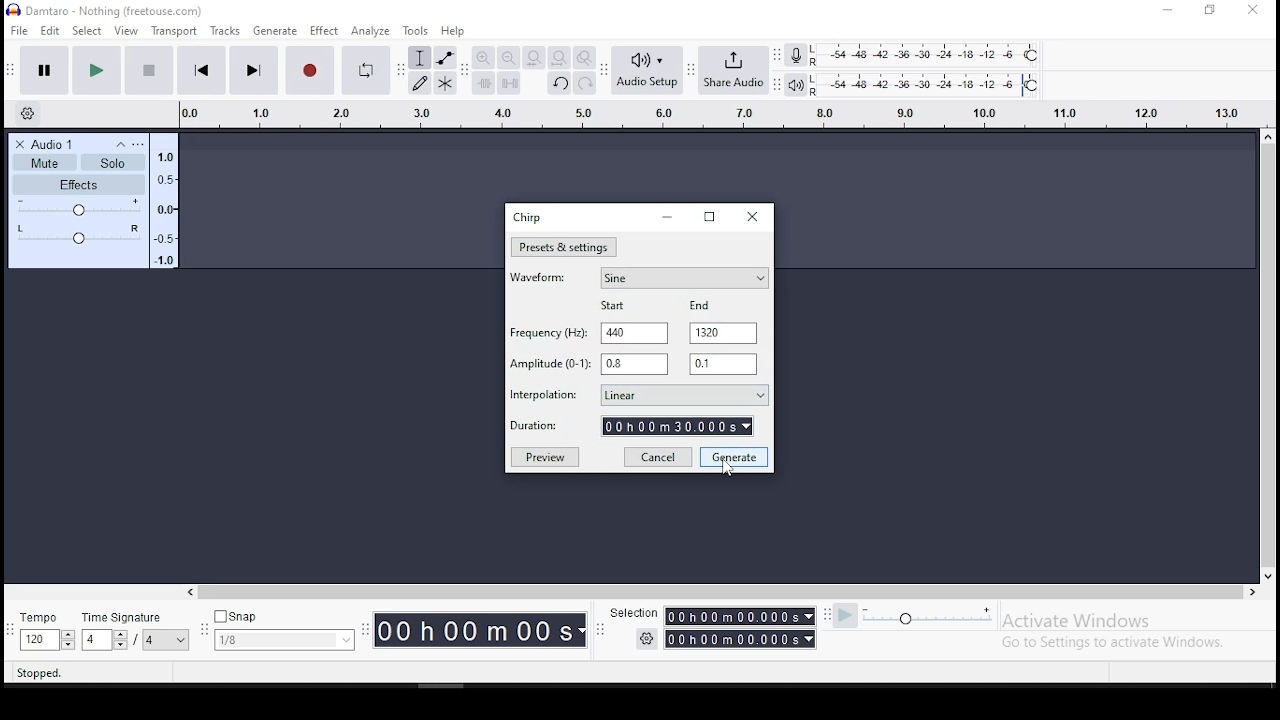  I want to click on recording level, so click(932, 55).